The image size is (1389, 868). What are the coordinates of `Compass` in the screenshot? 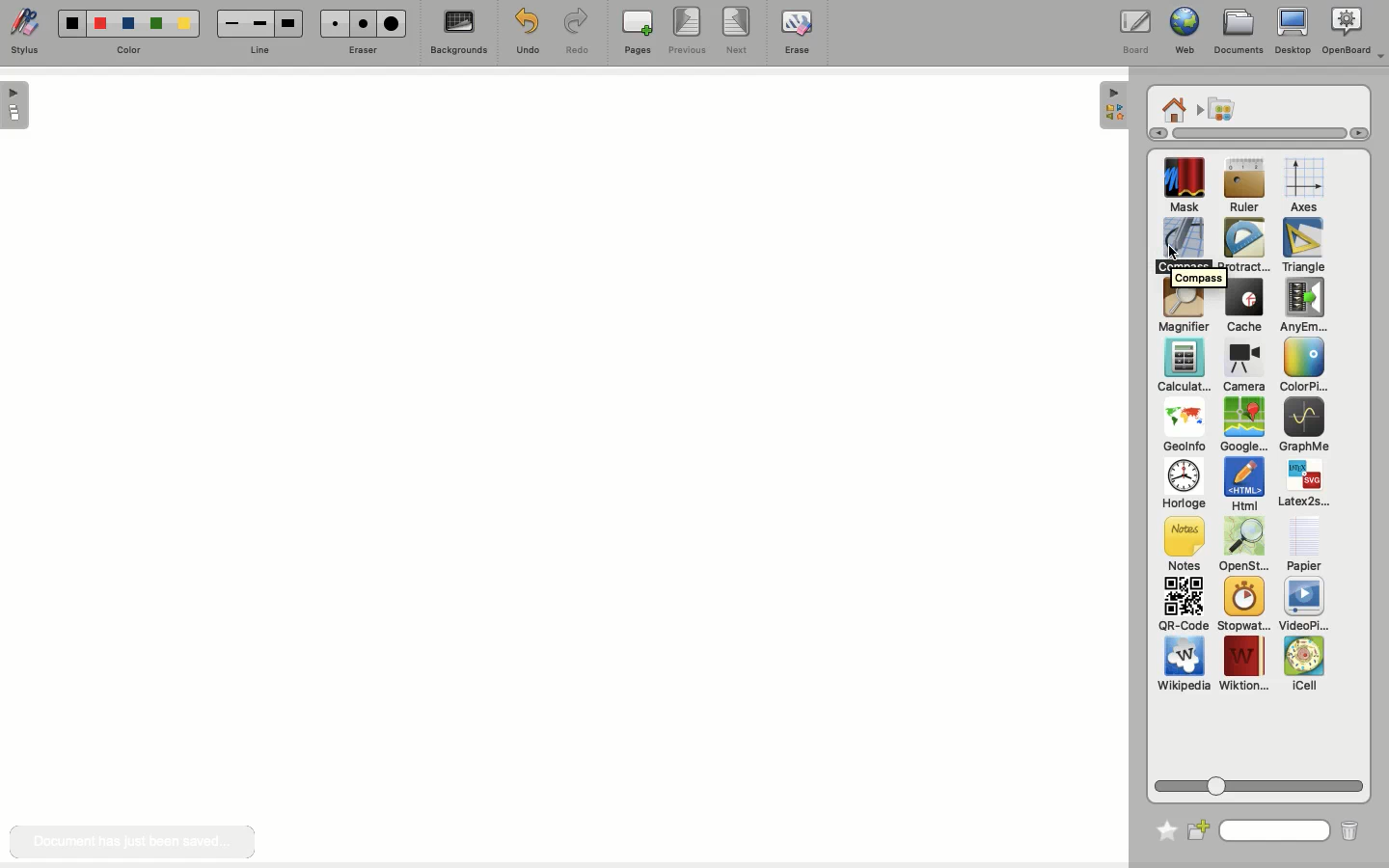 It's located at (1185, 245).